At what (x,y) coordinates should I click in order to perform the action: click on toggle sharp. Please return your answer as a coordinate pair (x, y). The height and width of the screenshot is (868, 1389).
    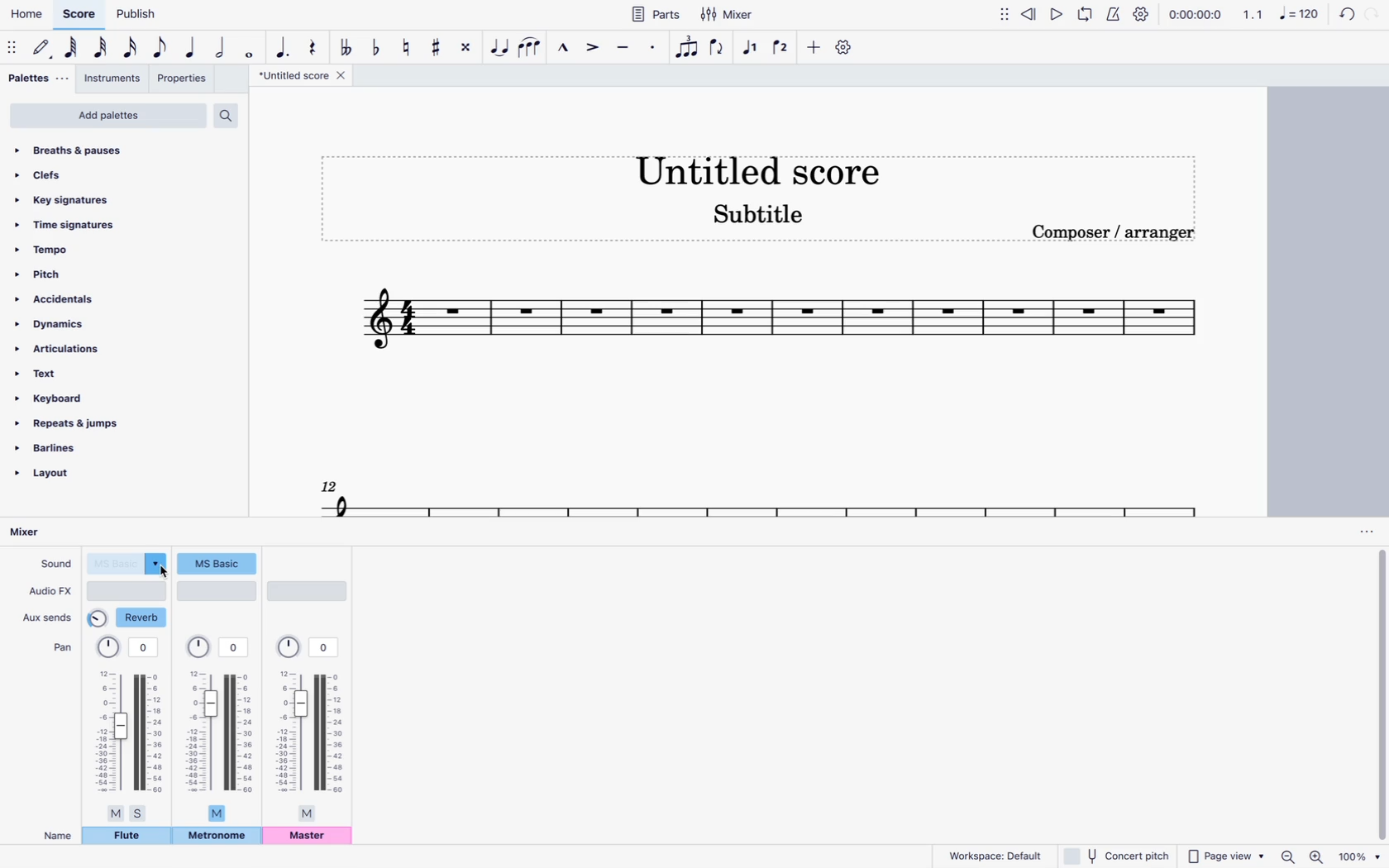
    Looking at the image, I should click on (439, 45).